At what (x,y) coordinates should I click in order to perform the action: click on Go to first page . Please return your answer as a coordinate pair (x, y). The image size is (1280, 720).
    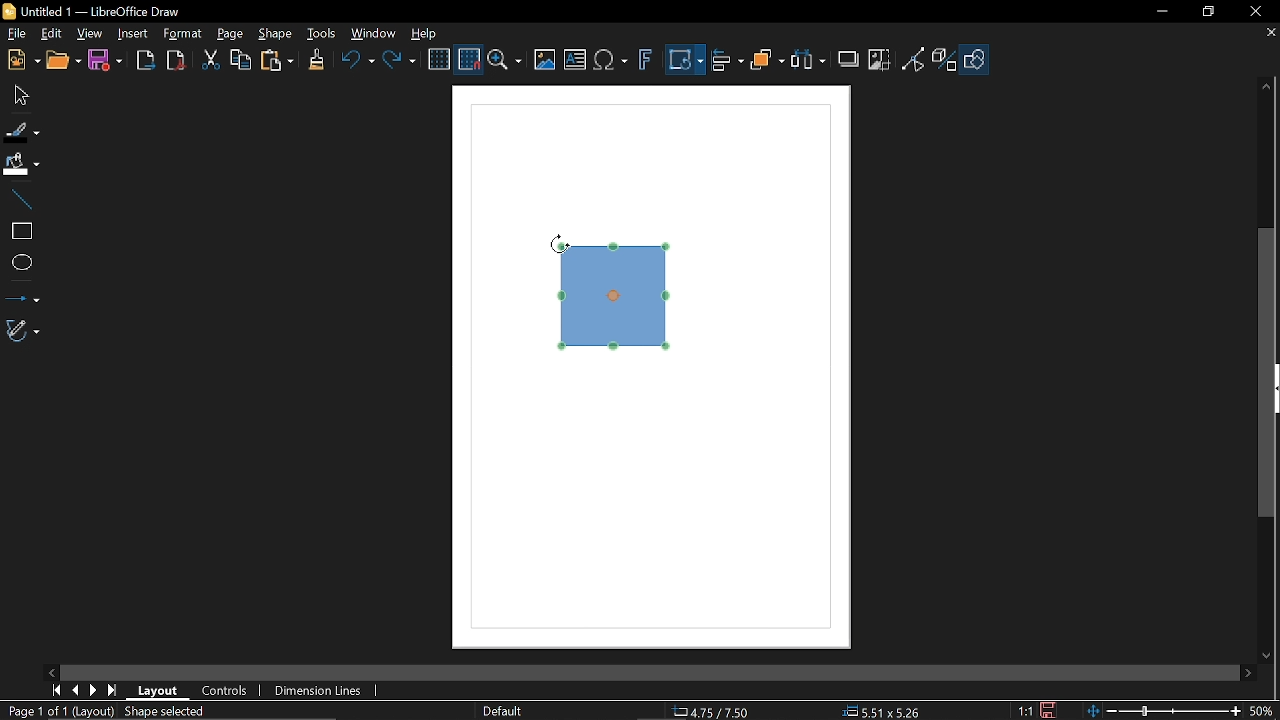
    Looking at the image, I should click on (56, 691).